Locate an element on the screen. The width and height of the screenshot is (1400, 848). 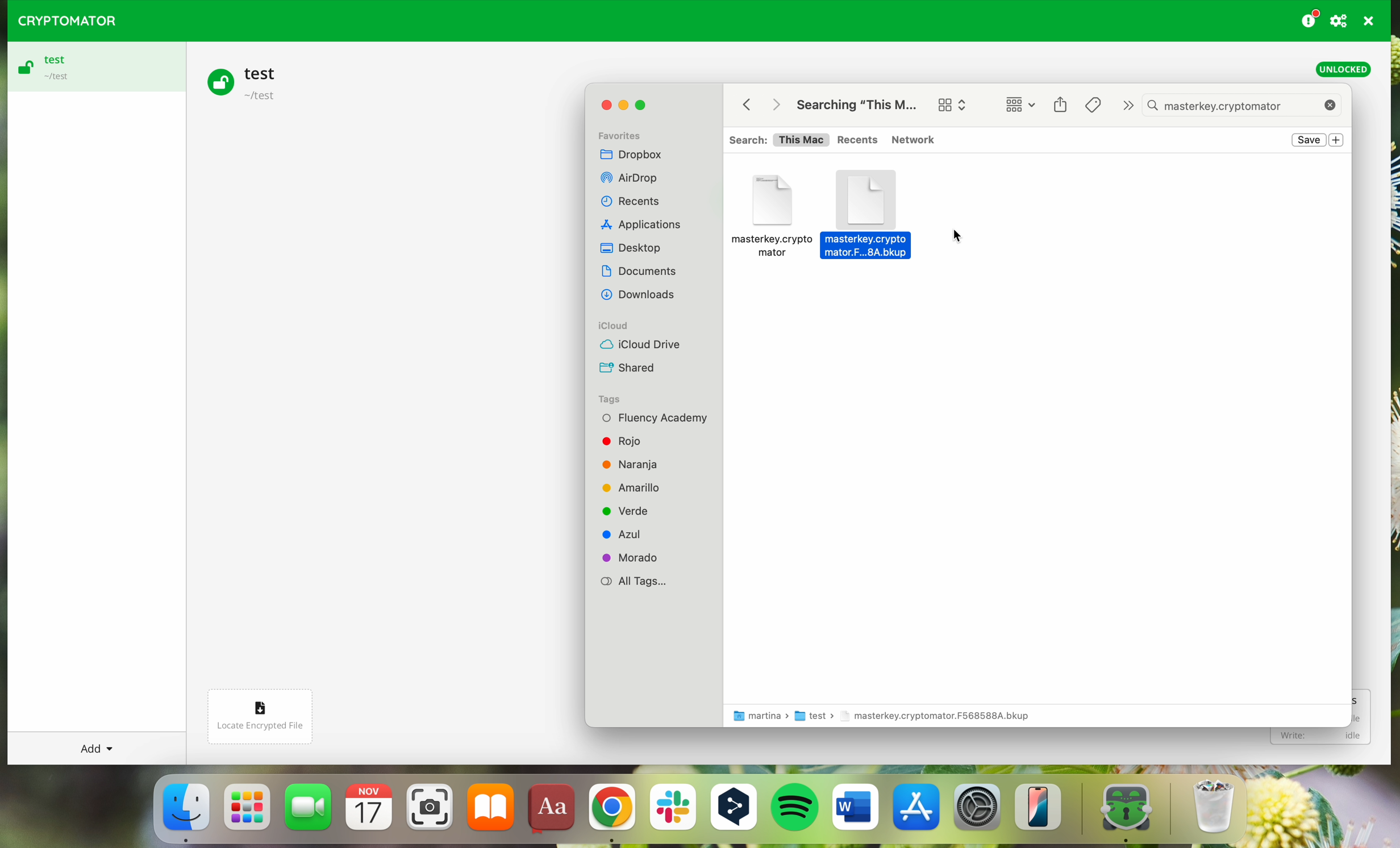
FaceTime is located at coordinates (310, 811).